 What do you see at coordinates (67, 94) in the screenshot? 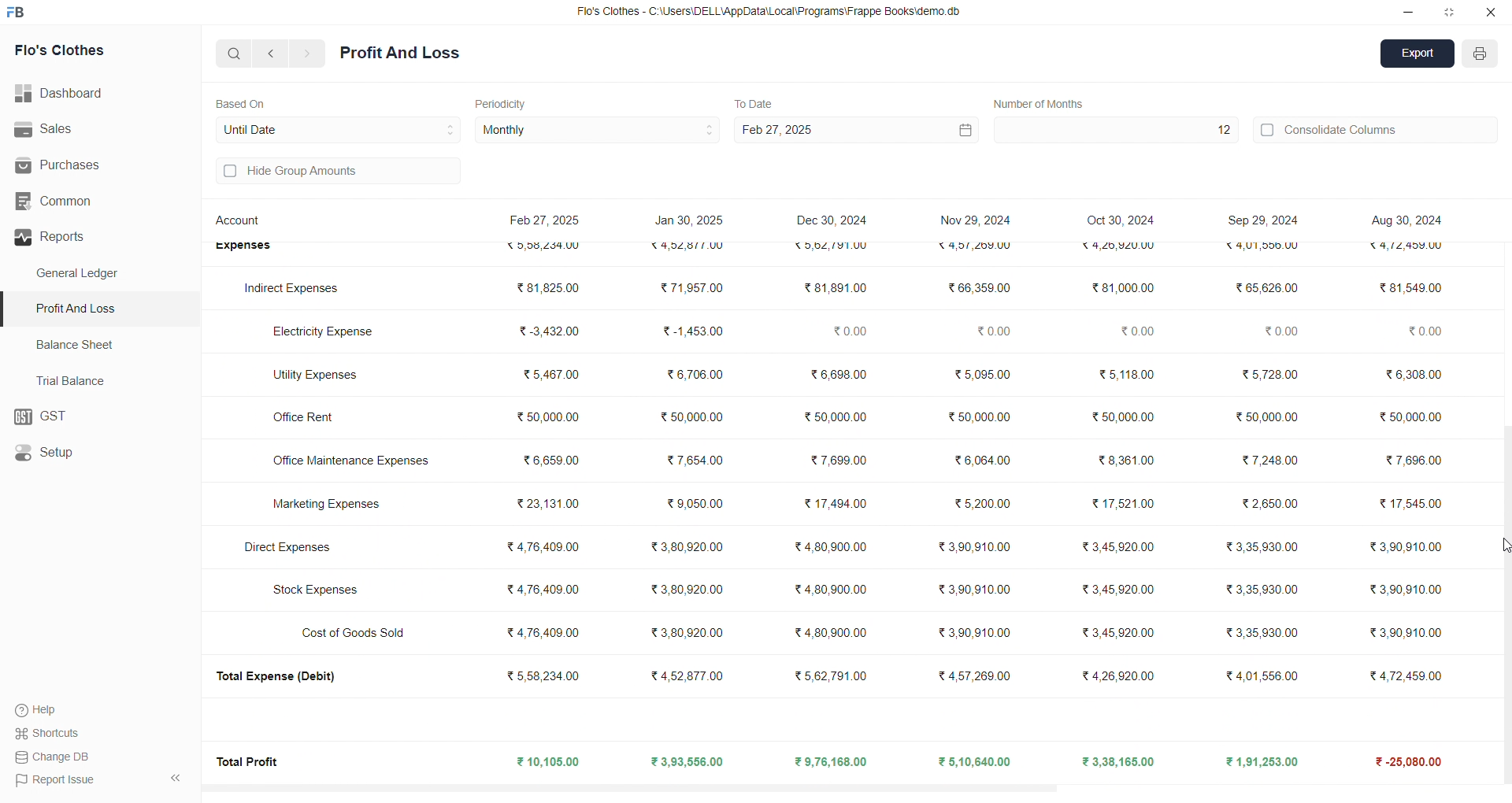
I see `Dashboard` at bounding box center [67, 94].